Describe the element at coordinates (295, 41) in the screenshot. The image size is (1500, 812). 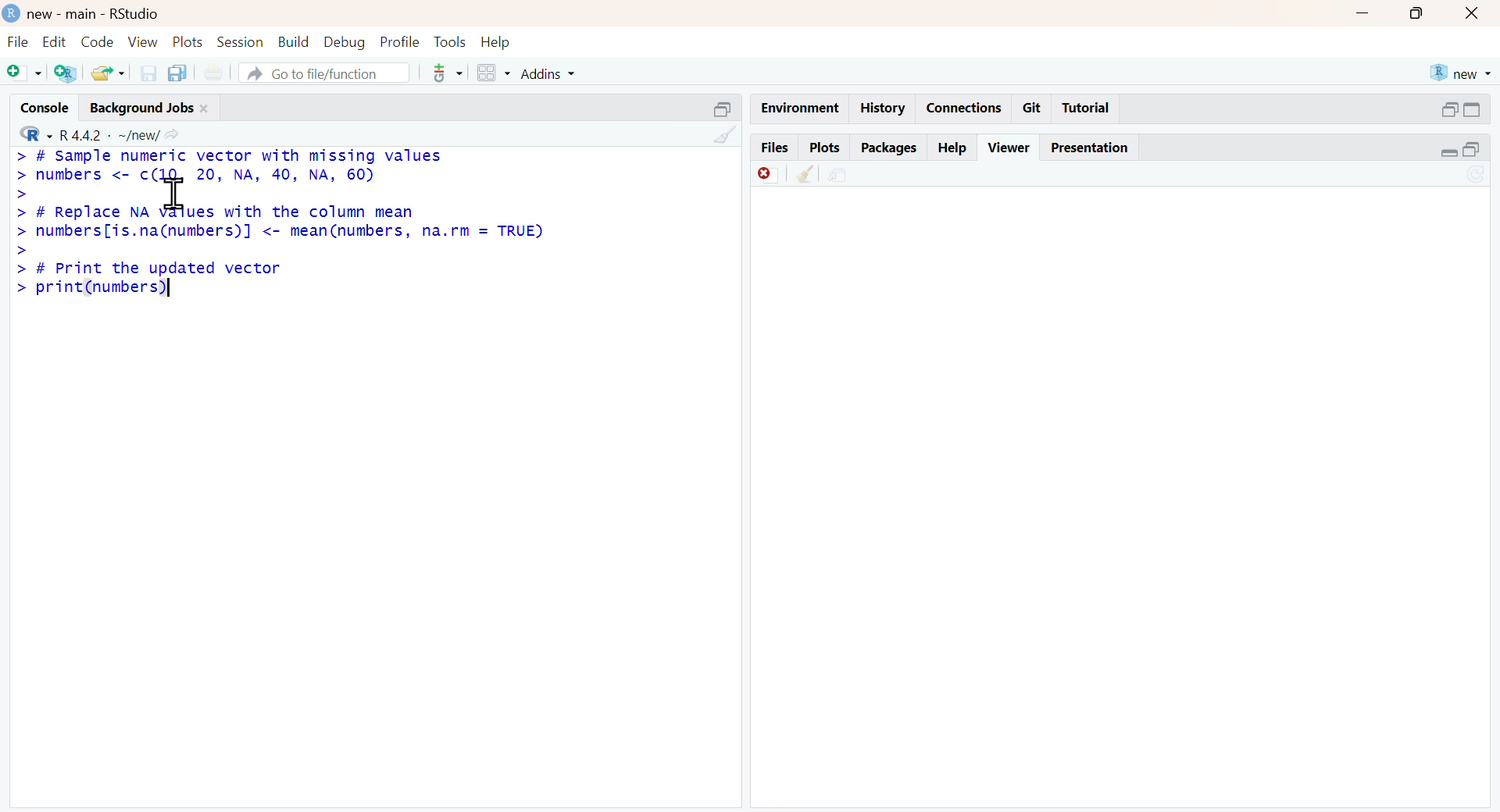
I see `build` at that location.